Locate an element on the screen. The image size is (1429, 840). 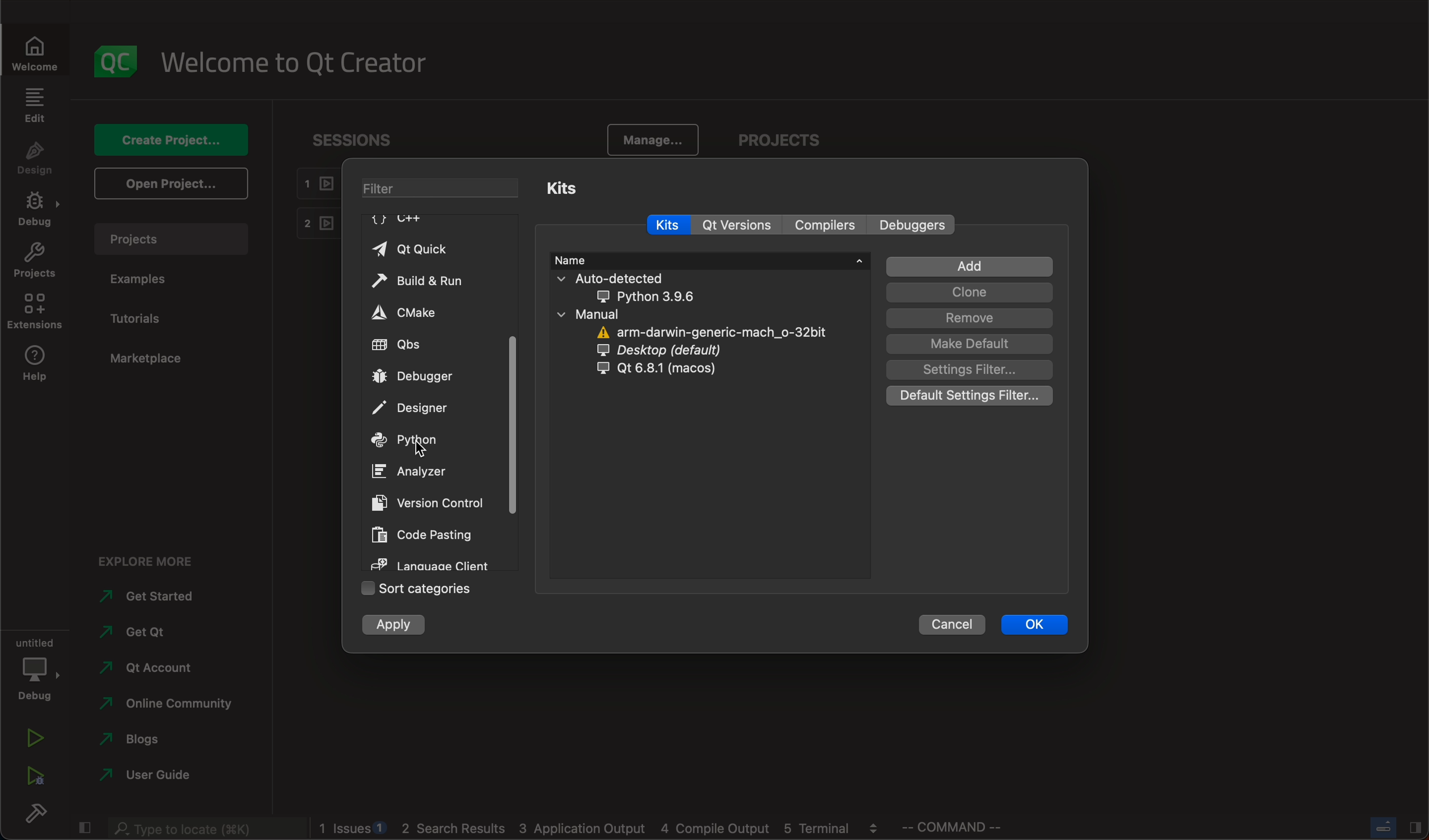
examples is located at coordinates (142, 282).